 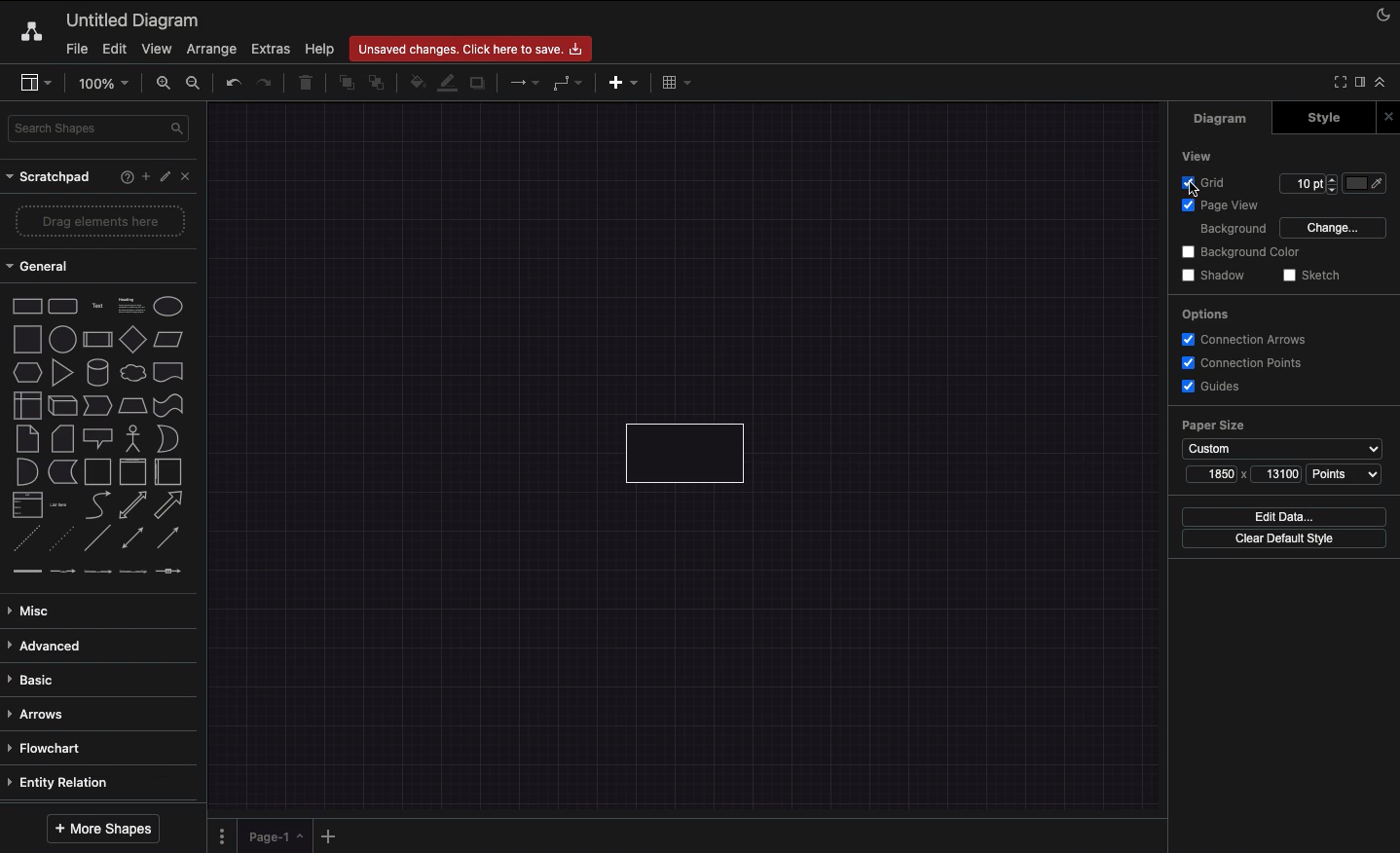 I want to click on Unsaved to save, so click(x=474, y=47).